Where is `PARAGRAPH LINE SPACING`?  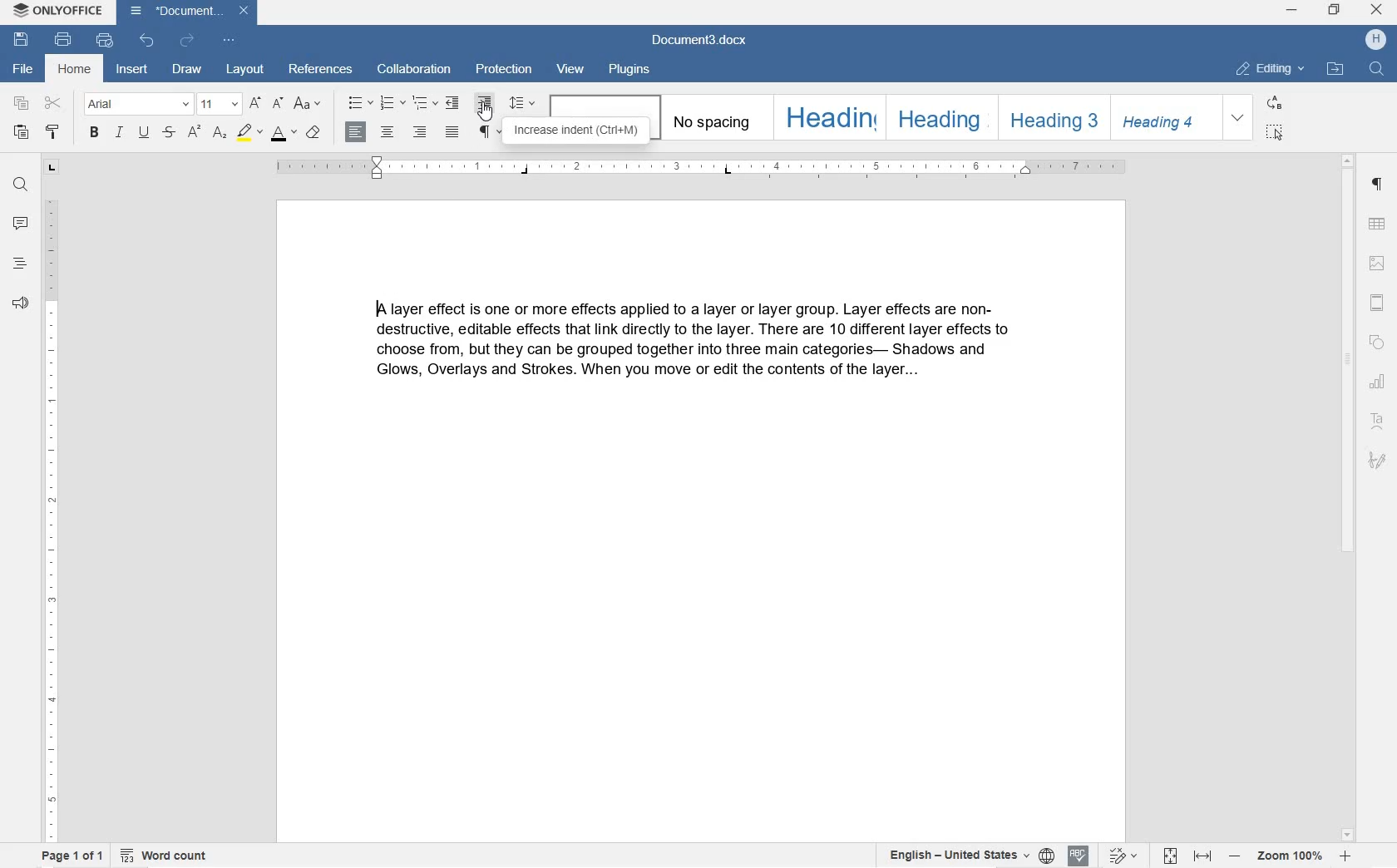 PARAGRAPH LINE SPACING is located at coordinates (523, 104).